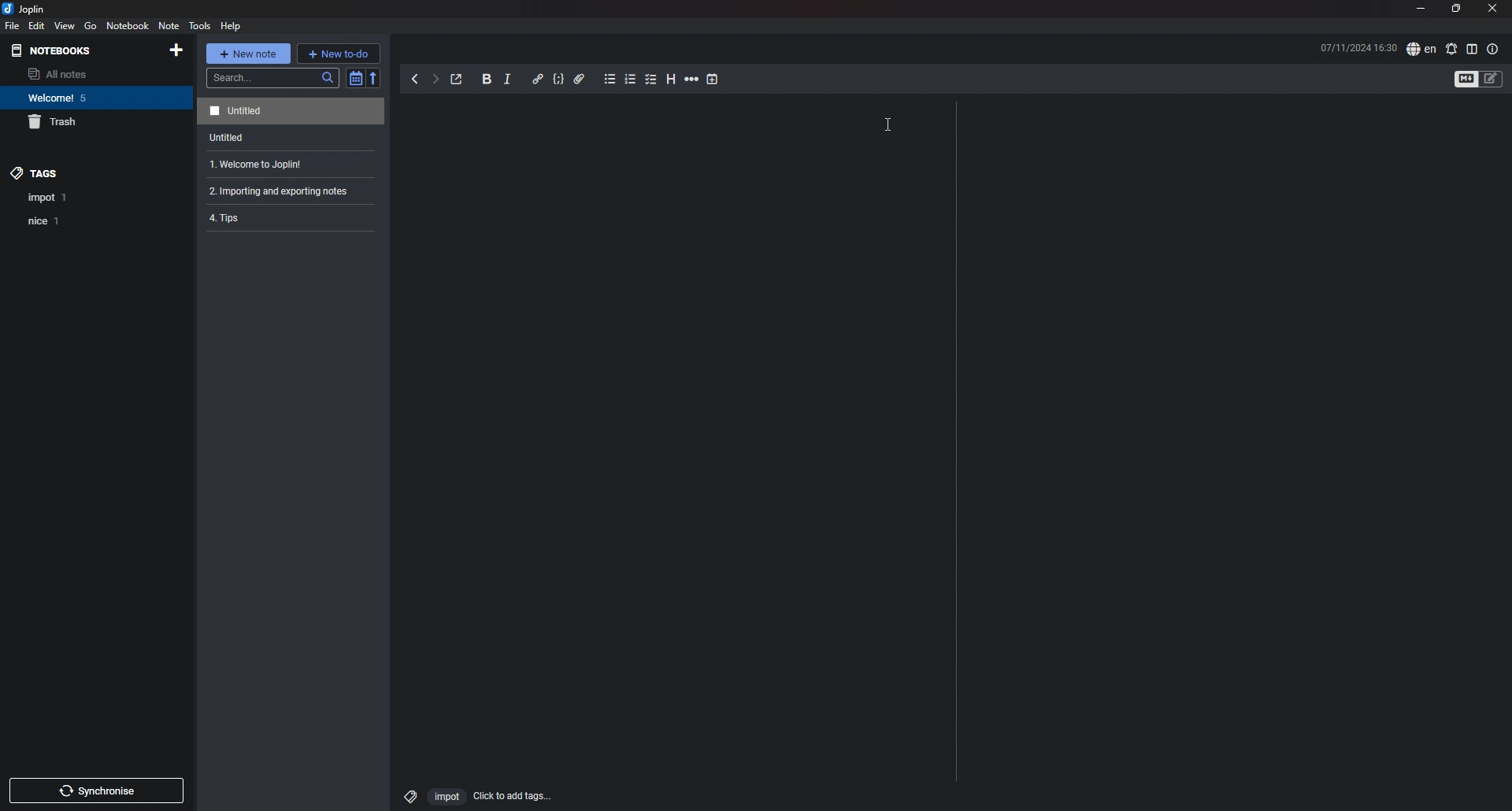 Image resolution: width=1512 pixels, height=811 pixels. What do you see at coordinates (176, 50) in the screenshot?
I see `add notebook` at bounding box center [176, 50].